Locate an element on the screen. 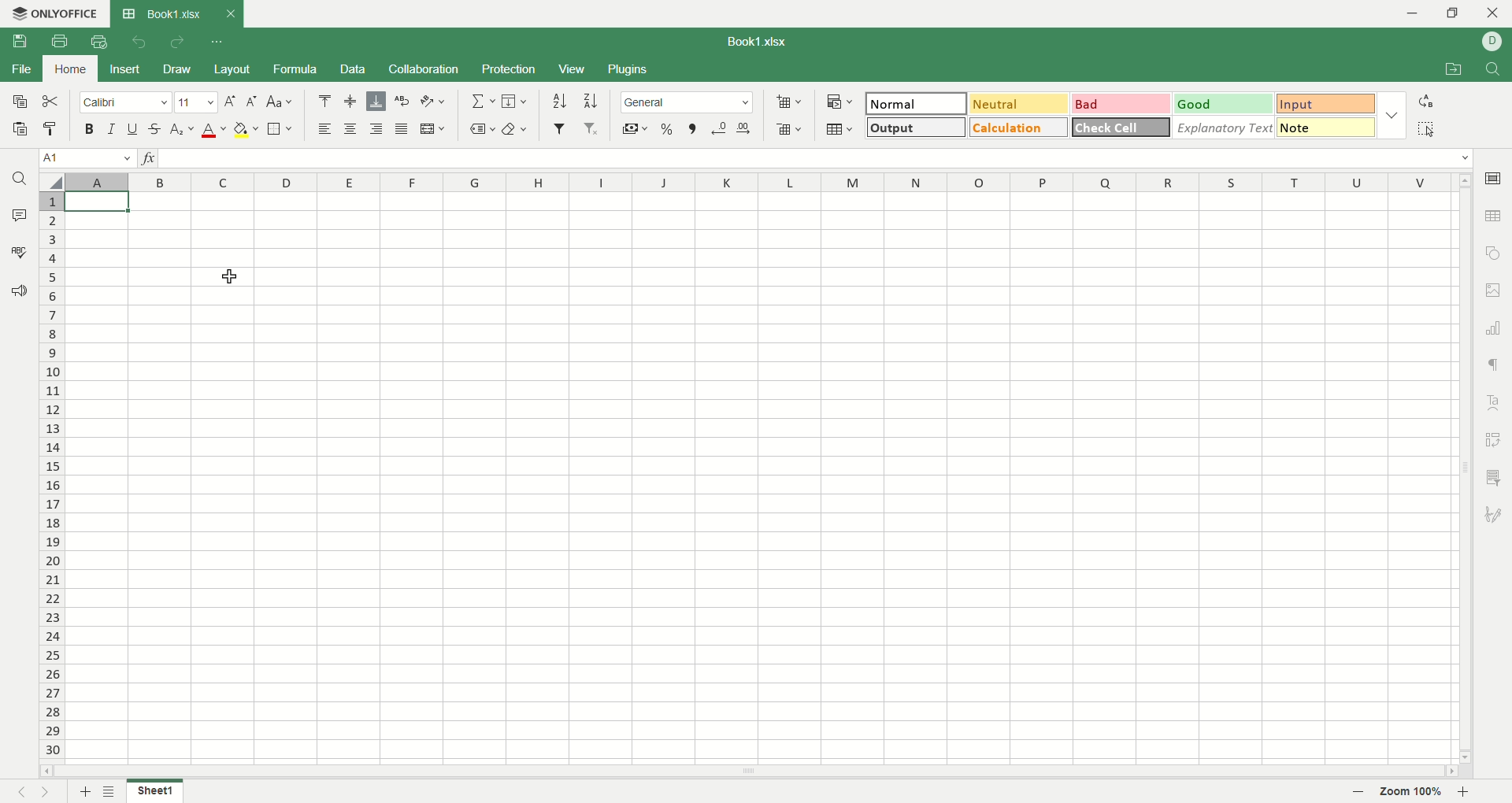 Image resolution: width=1512 pixels, height=803 pixels. protection is located at coordinates (510, 68).